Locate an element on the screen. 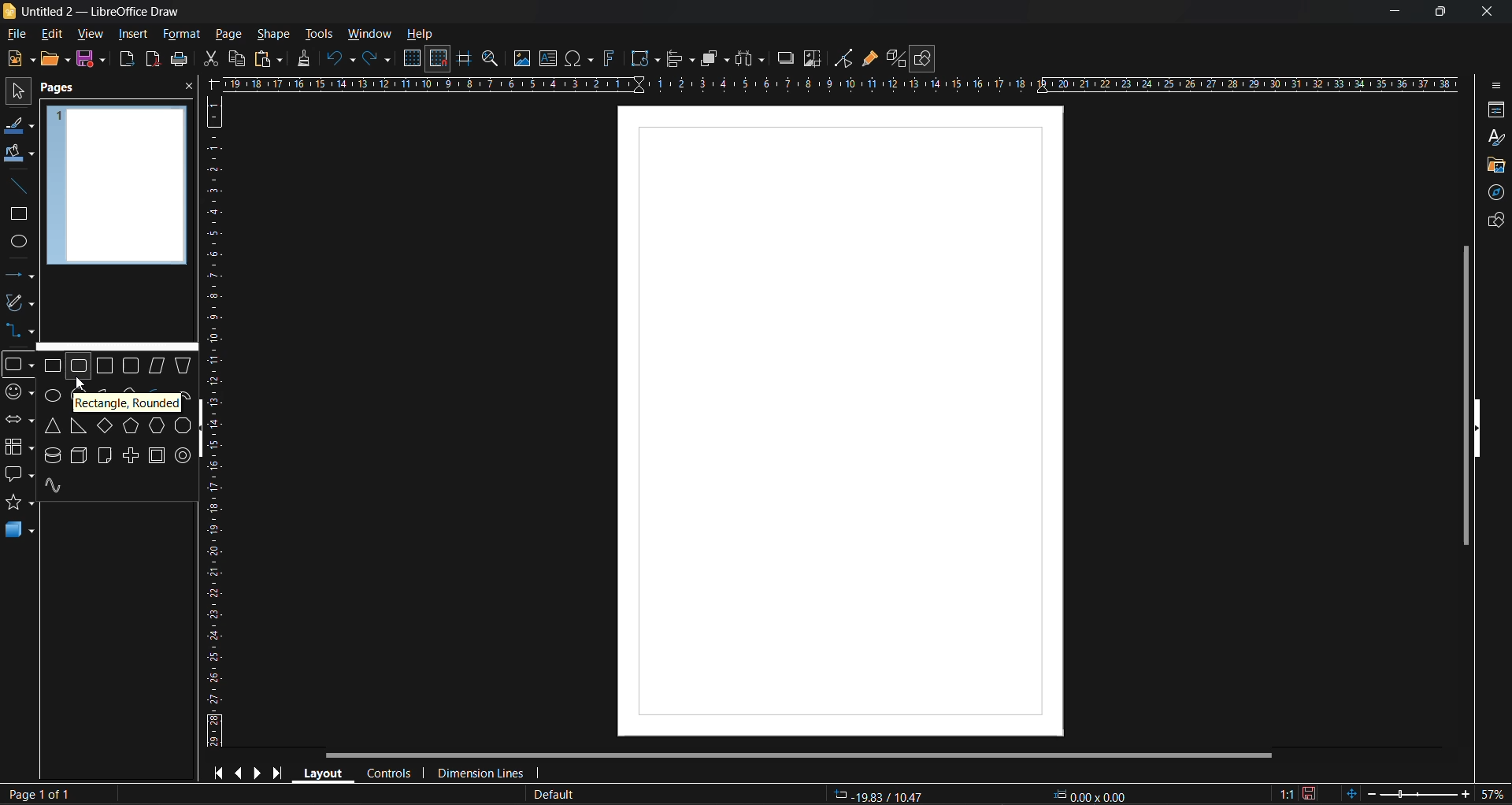 This screenshot has height=805, width=1512. show draw functions is located at coordinates (925, 59).